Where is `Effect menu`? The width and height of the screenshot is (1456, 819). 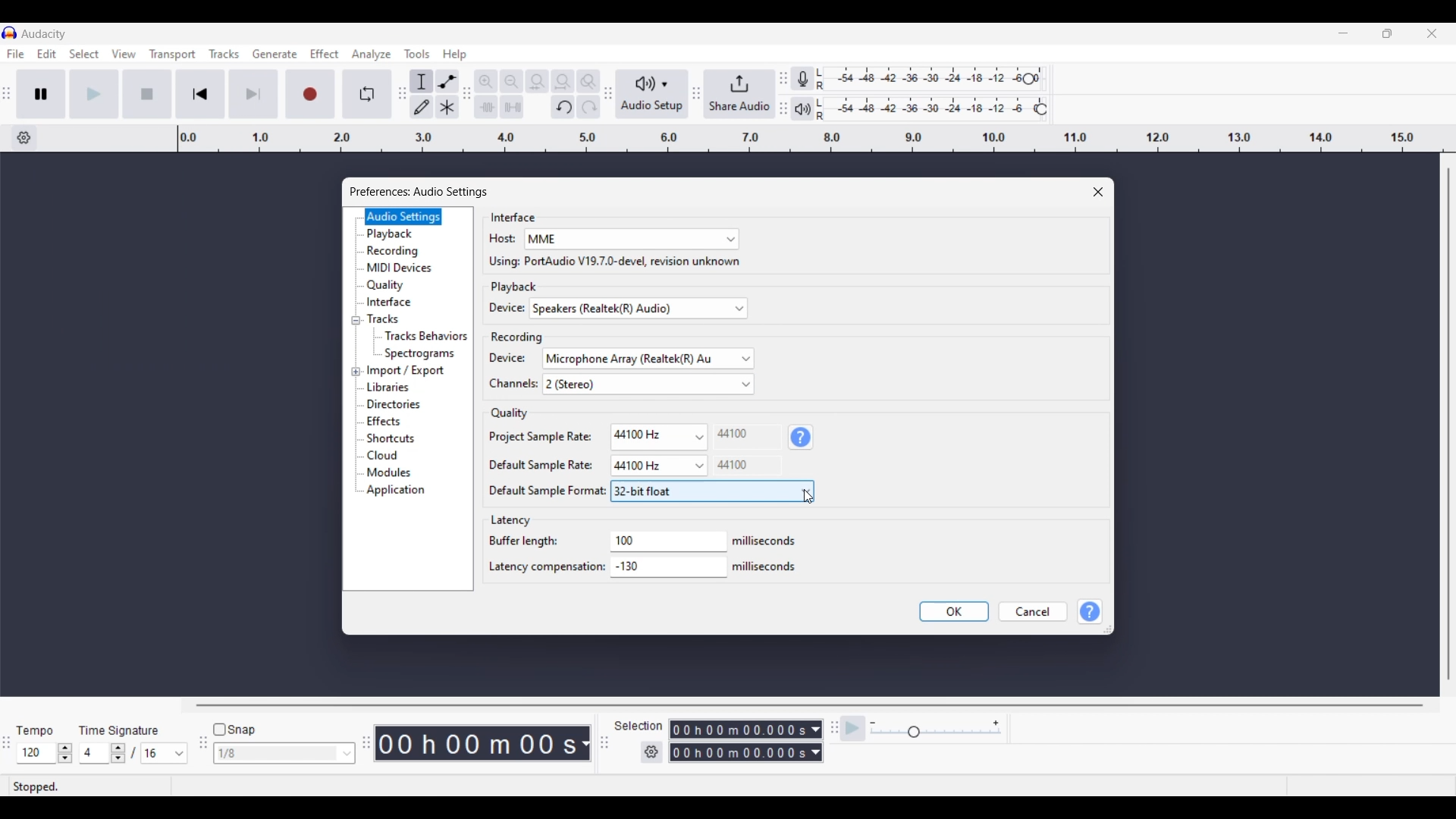 Effect menu is located at coordinates (325, 54).